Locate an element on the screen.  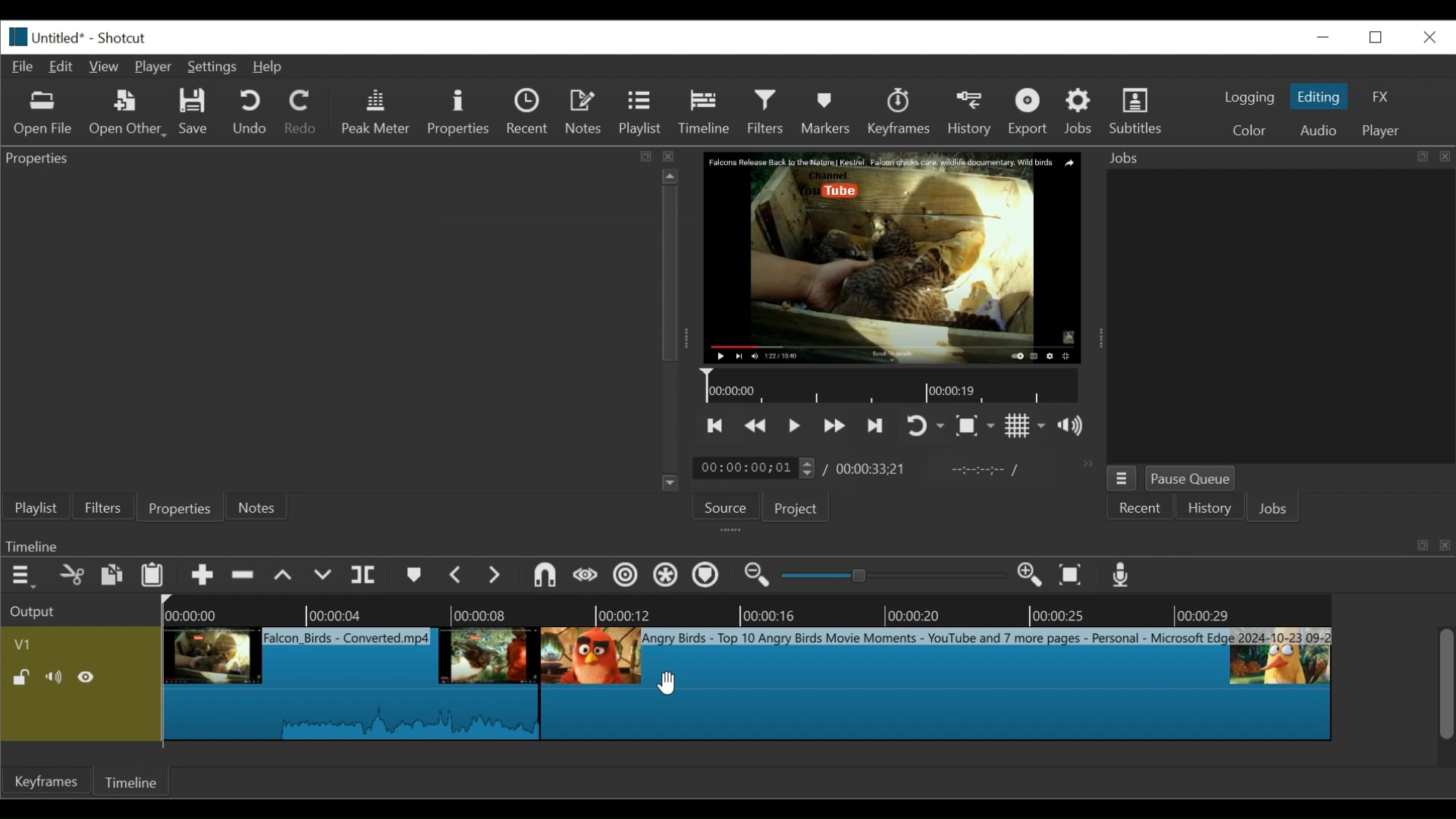
Media Viewer is located at coordinates (891, 257).